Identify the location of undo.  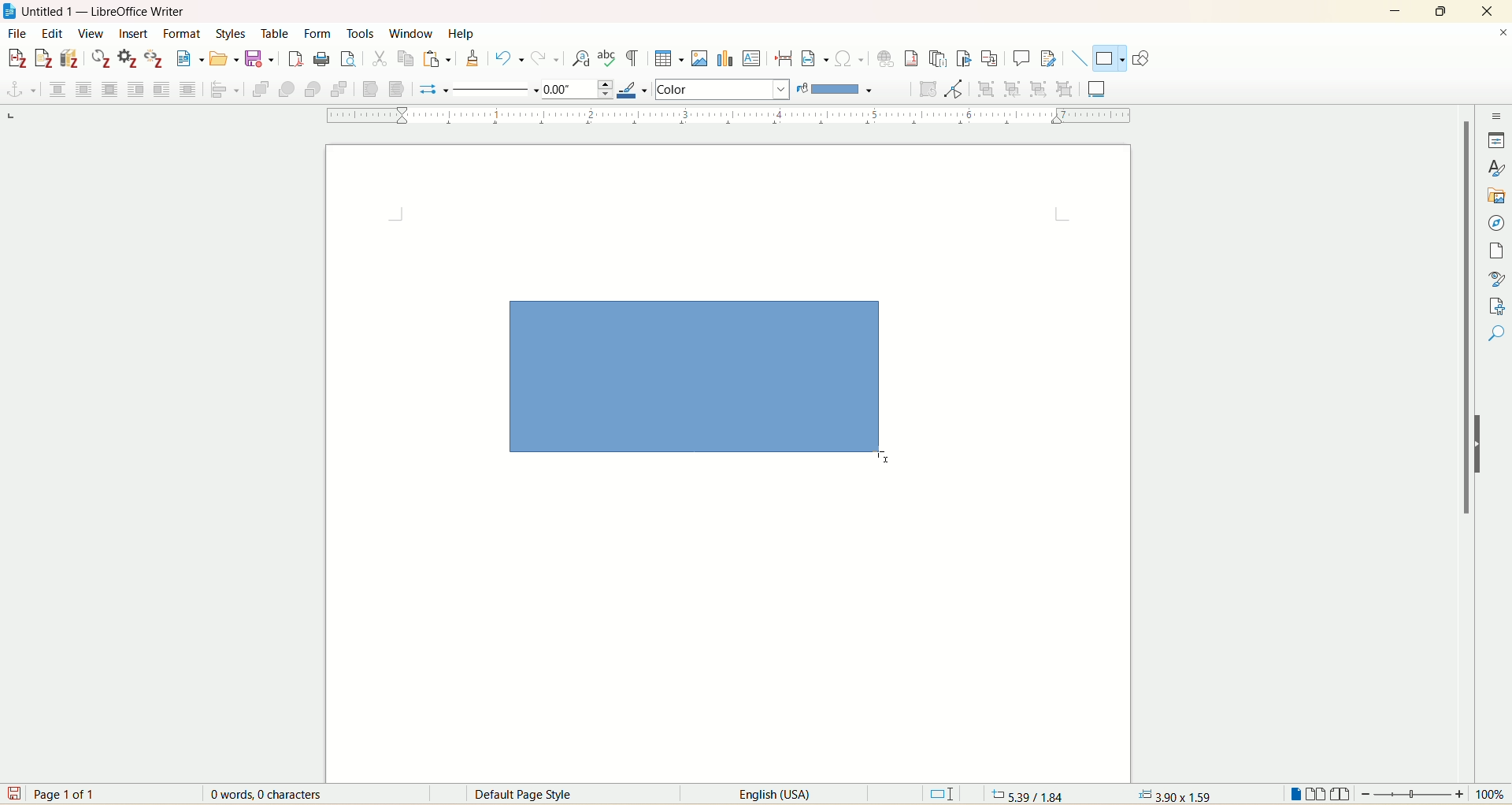
(510, 58).